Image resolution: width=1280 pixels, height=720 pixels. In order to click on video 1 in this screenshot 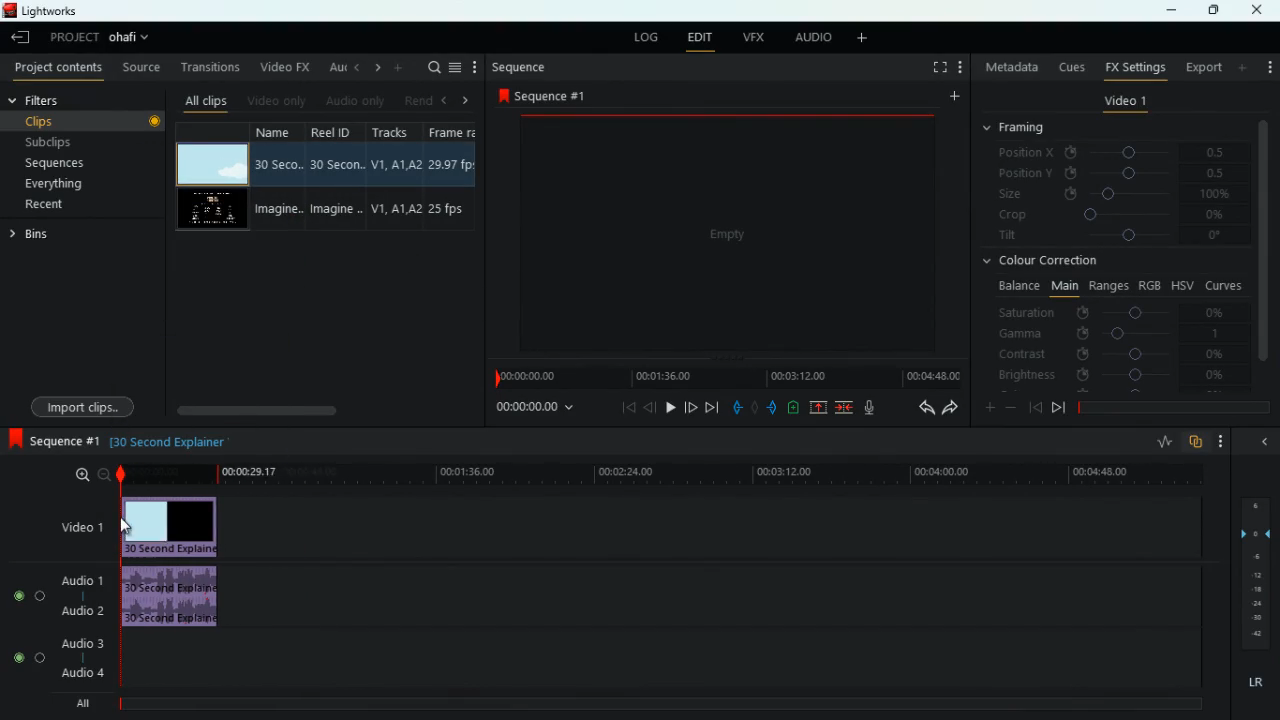, I will do `click(1126, 101)`.